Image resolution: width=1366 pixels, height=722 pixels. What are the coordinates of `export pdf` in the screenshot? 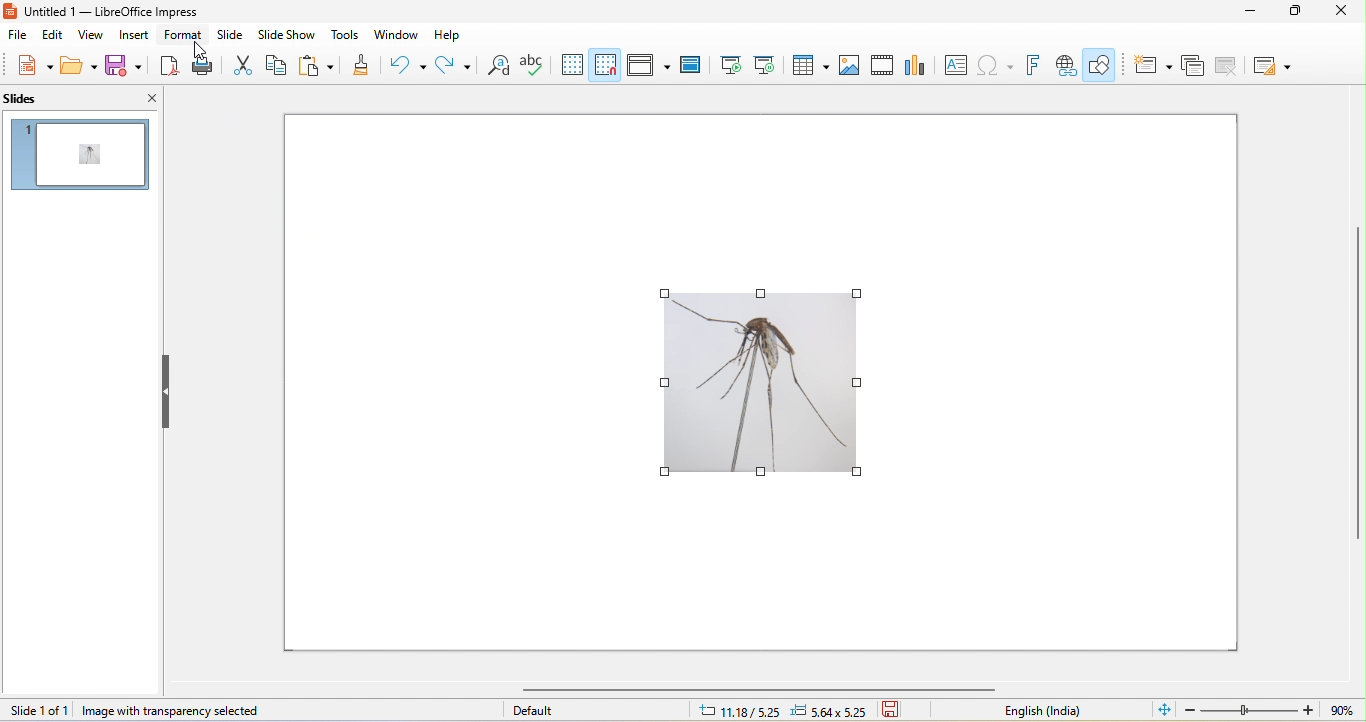 It's located at (172, 67).